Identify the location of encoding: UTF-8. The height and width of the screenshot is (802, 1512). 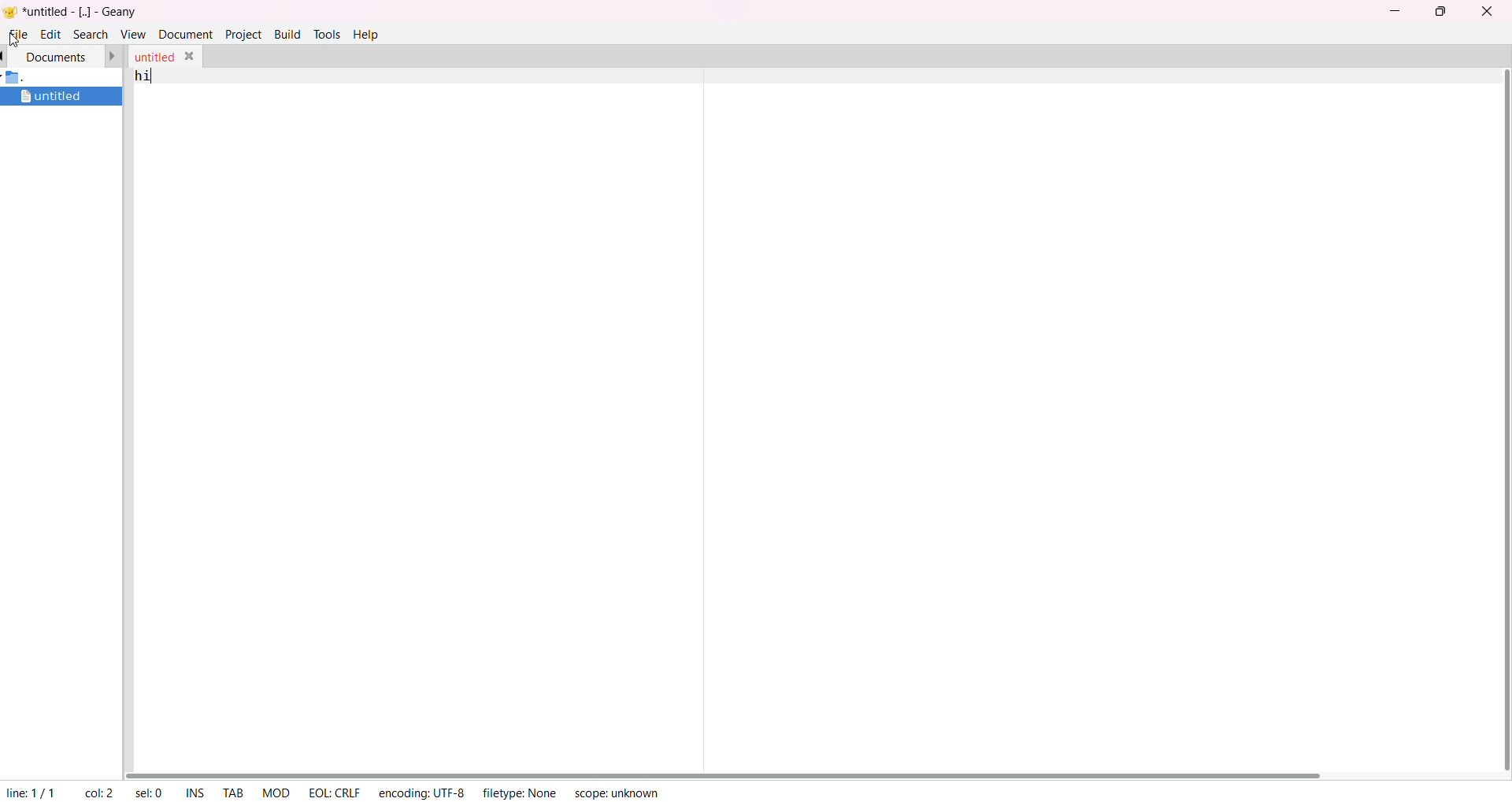
(423, 791).